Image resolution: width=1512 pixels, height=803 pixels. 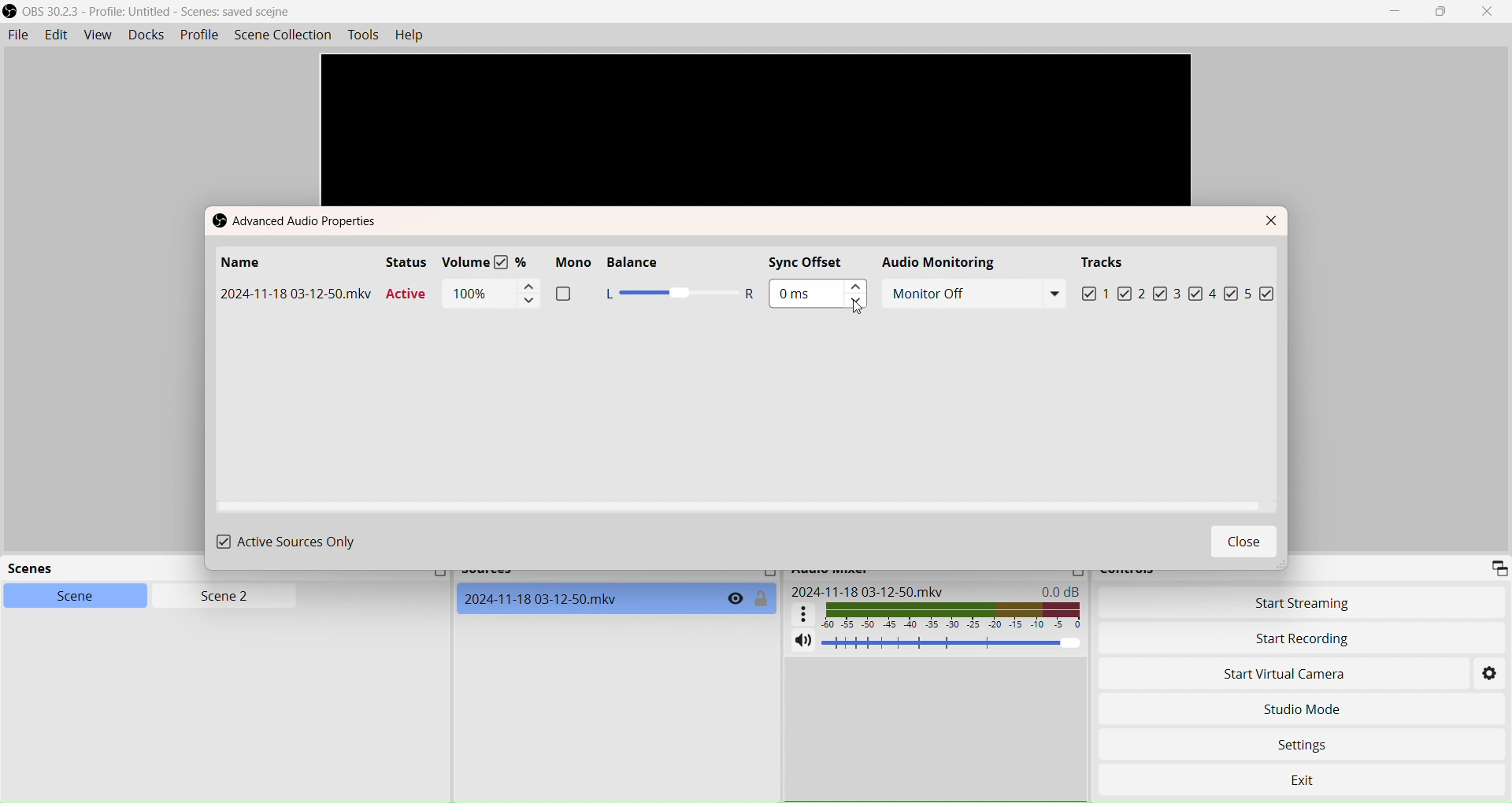 I want to click on Scene, so click(x=65, y=595).